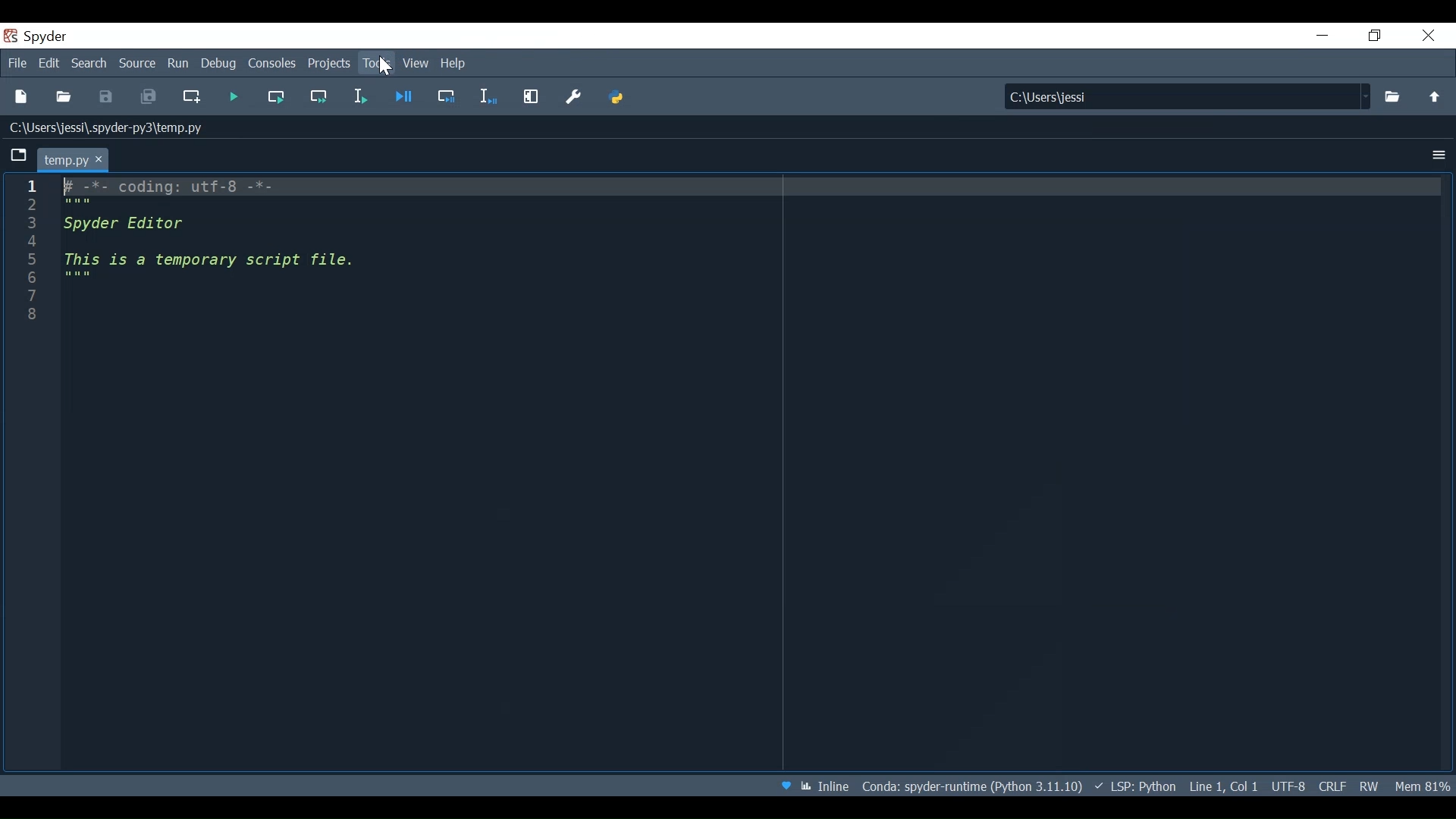  What do you see at coordinates (531, 99) in the screenshot?
I see `Maximize current pane` at bounding box center [531, 99].